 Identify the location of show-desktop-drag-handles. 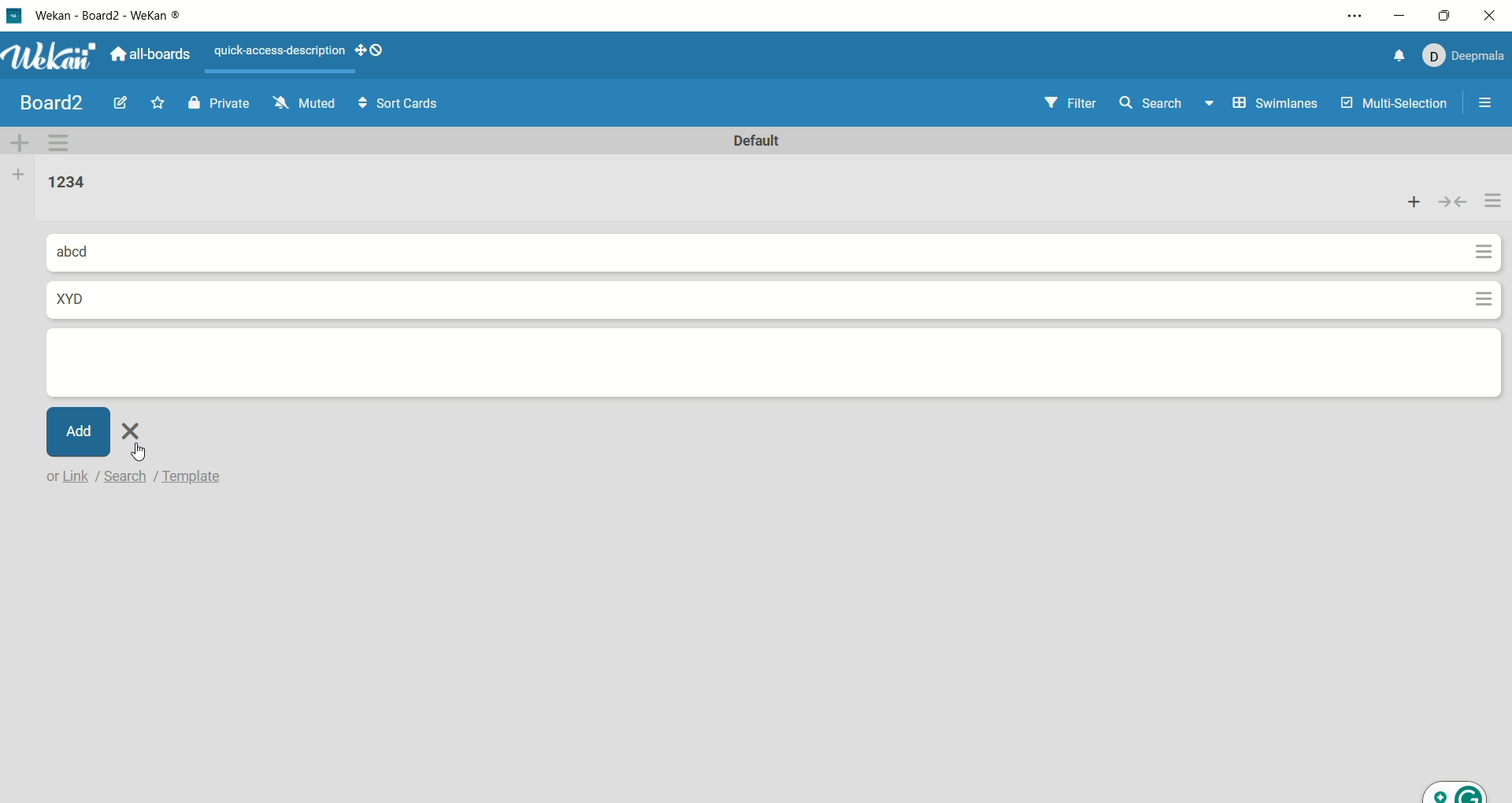
(377, 50).